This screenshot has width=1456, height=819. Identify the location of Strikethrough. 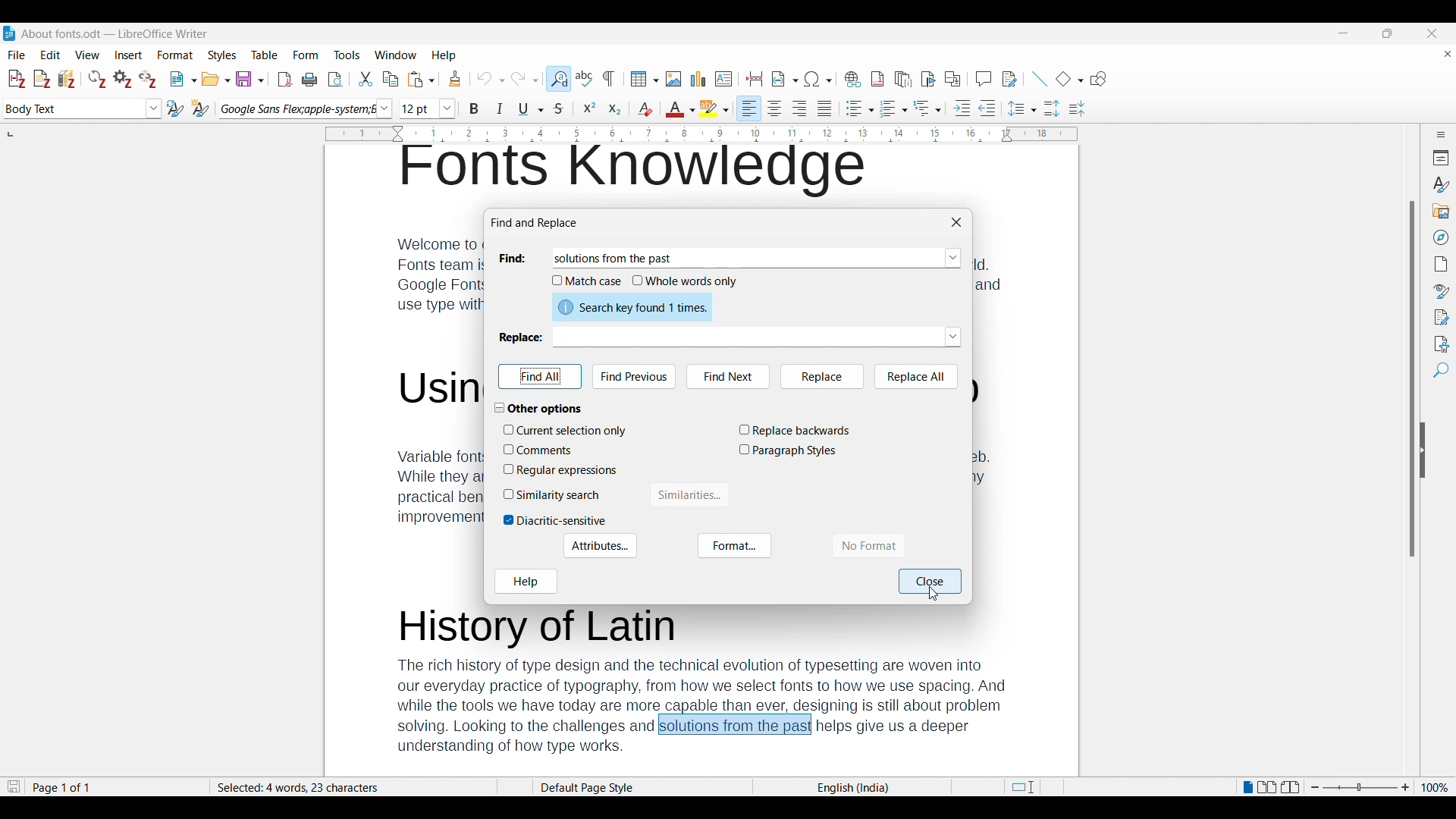
(557, 110).